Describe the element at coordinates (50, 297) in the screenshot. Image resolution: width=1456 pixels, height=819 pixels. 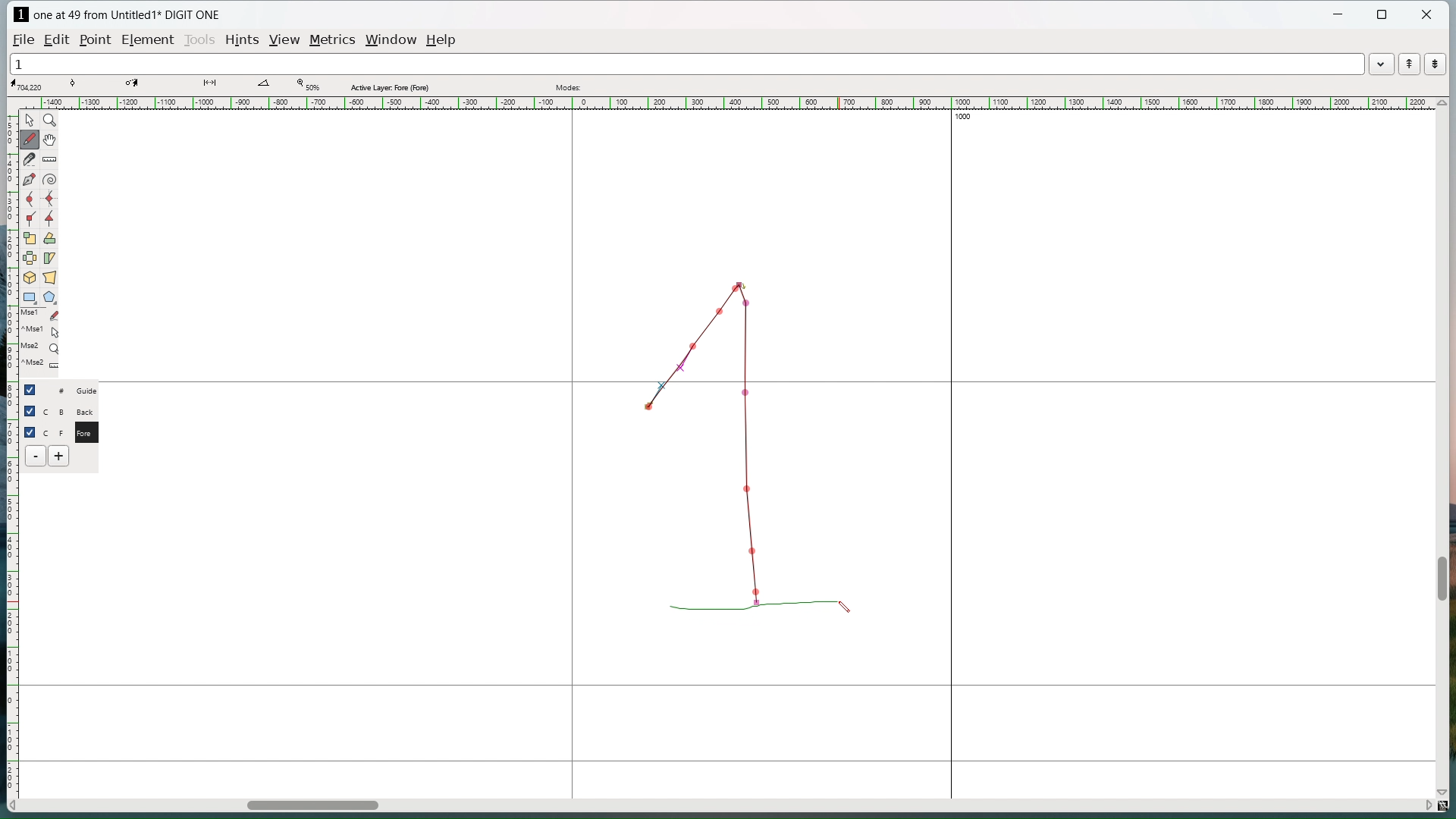
I see `polygon/star` at that location.